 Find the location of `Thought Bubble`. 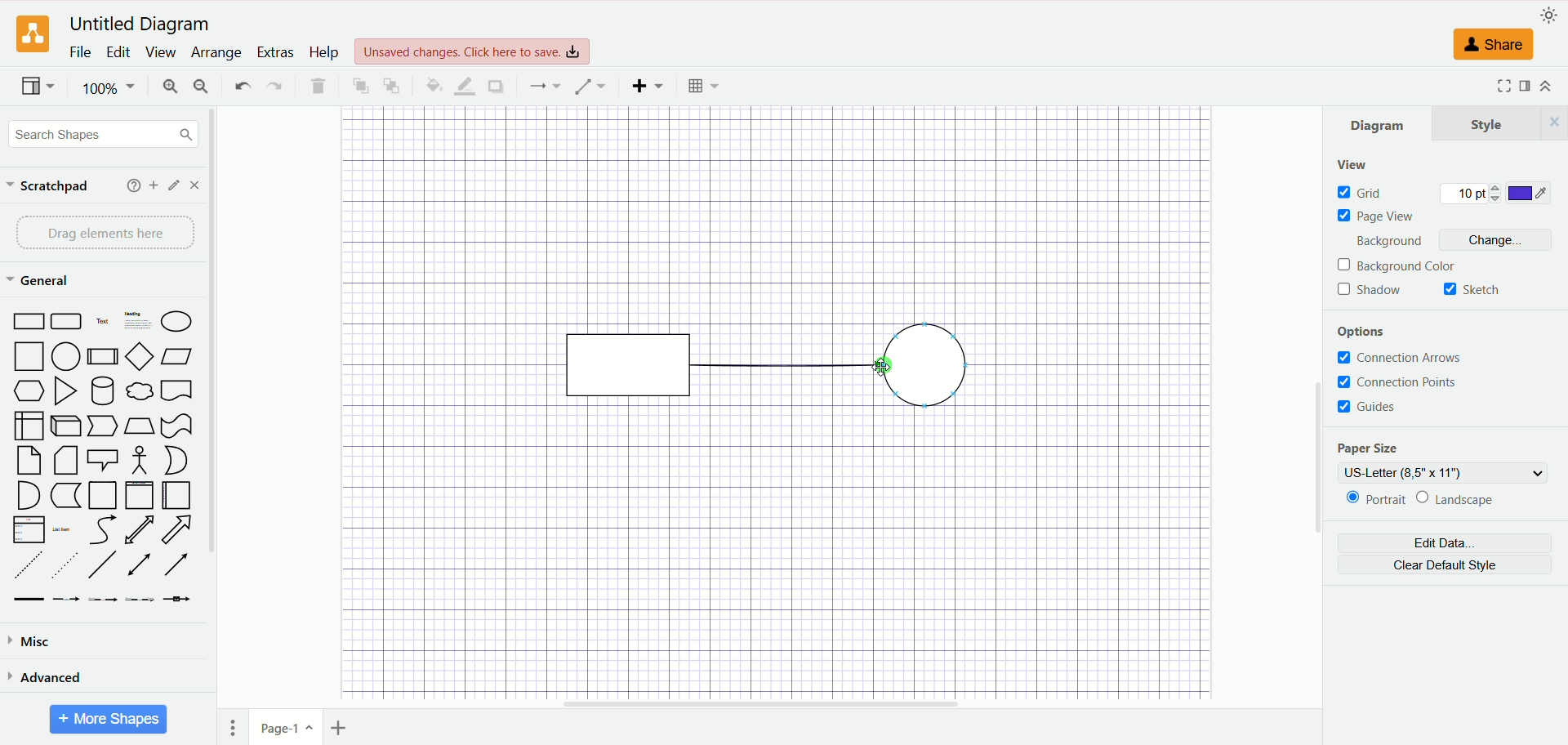

Thought Bubble is located at coordinates (141, 391).